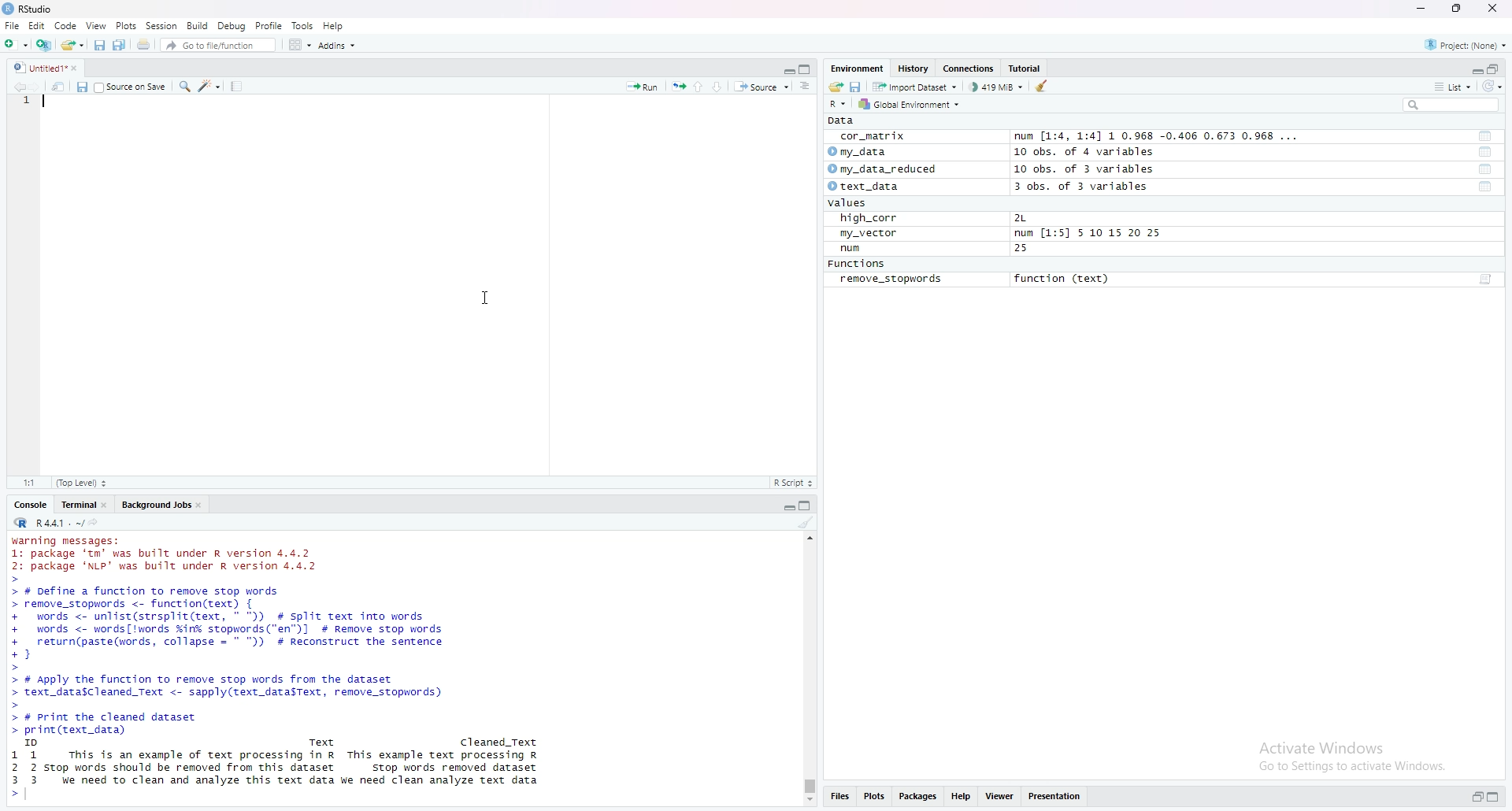 This screenshot has width=1512, height=811. I want to click on , so click(37, 27).